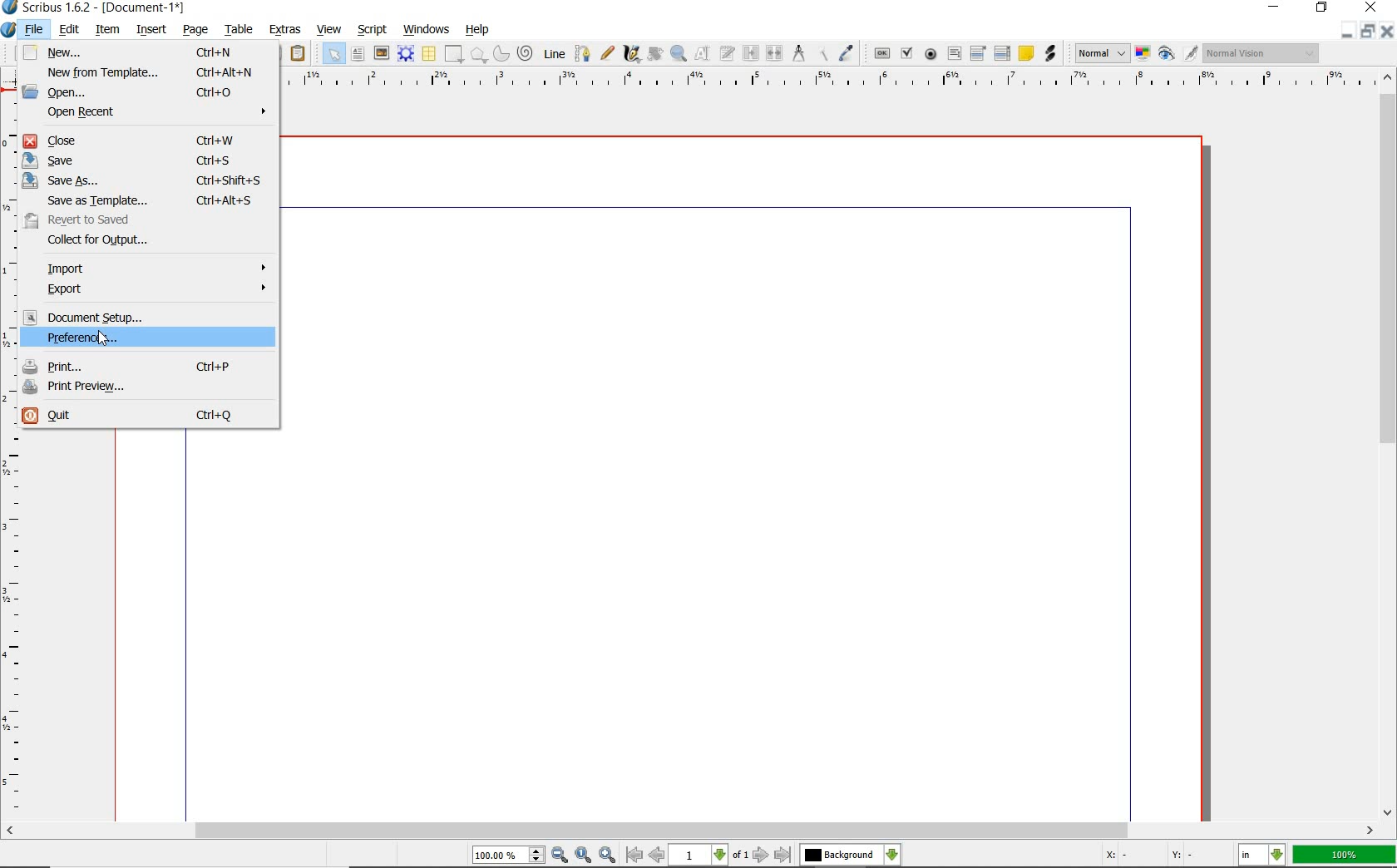 The height and width of the screenshot is (868, 1397). I want to click on REVERT TO SEND, so click(129, 220).